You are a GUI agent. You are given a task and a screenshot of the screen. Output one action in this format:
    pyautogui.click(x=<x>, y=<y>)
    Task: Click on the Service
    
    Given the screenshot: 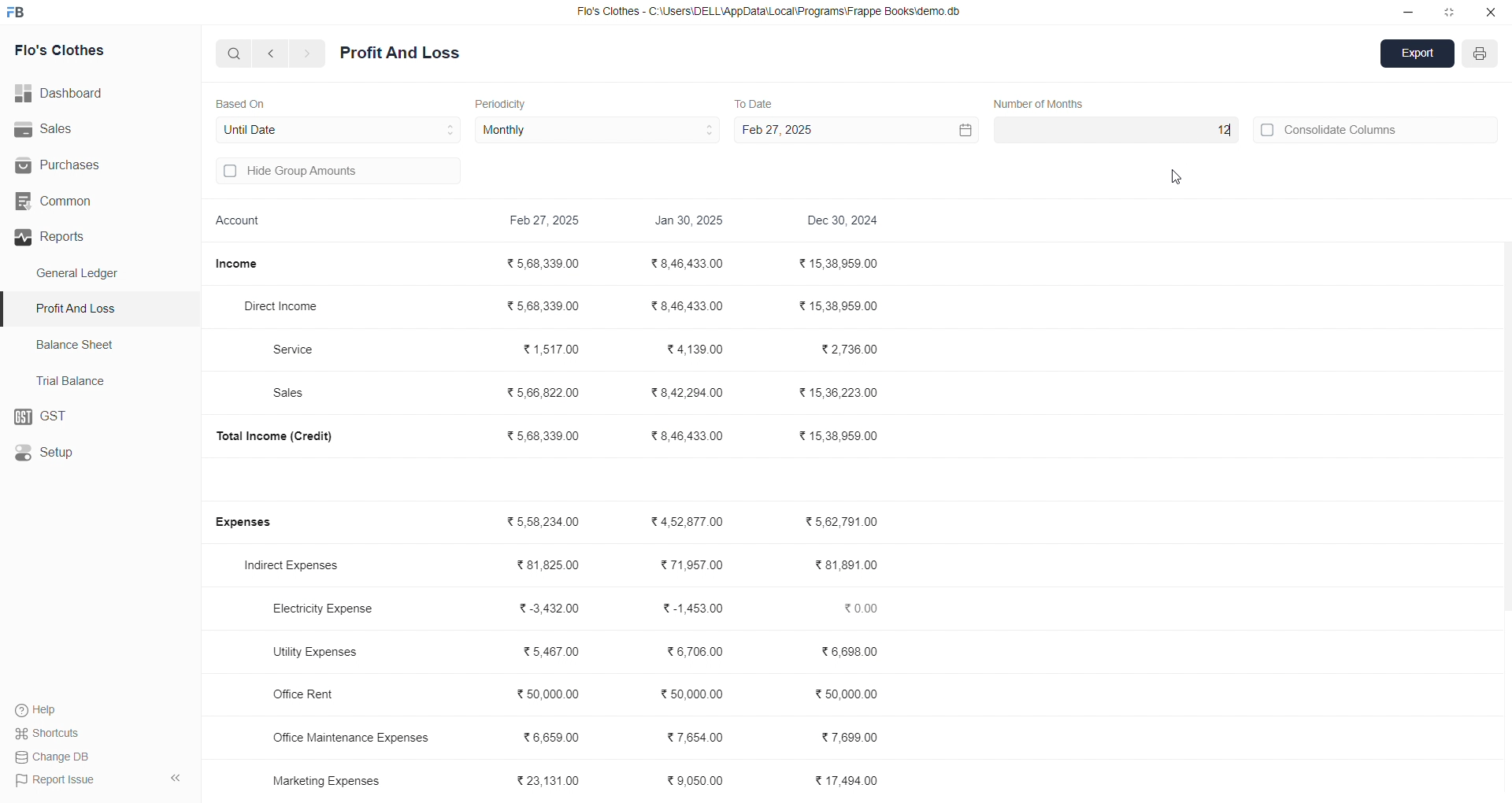 What is the action you would take?
    pyautogui.click(x=302, y=349)
    